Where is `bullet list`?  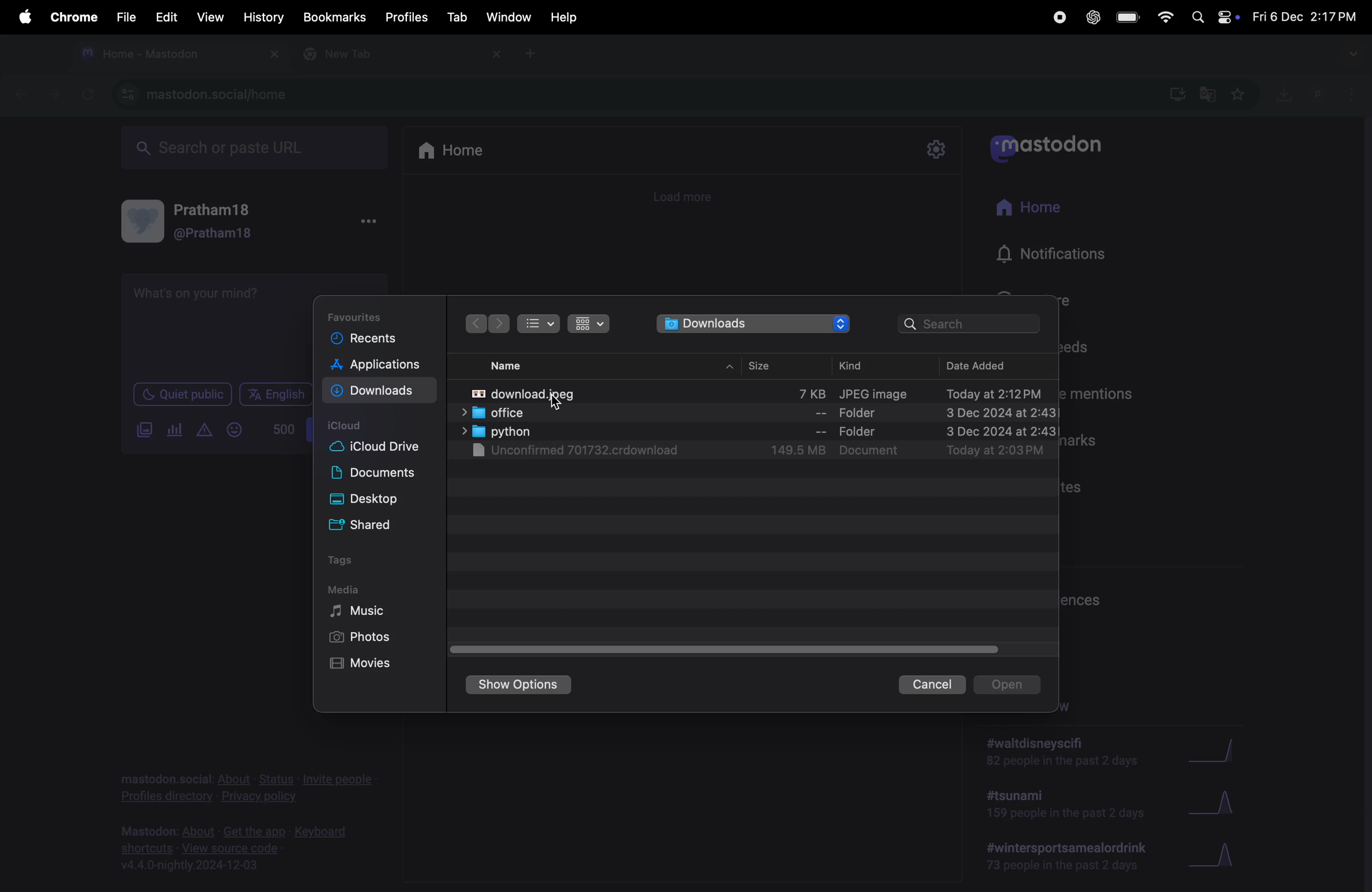
bullet list is located at coordinates (537, 323).